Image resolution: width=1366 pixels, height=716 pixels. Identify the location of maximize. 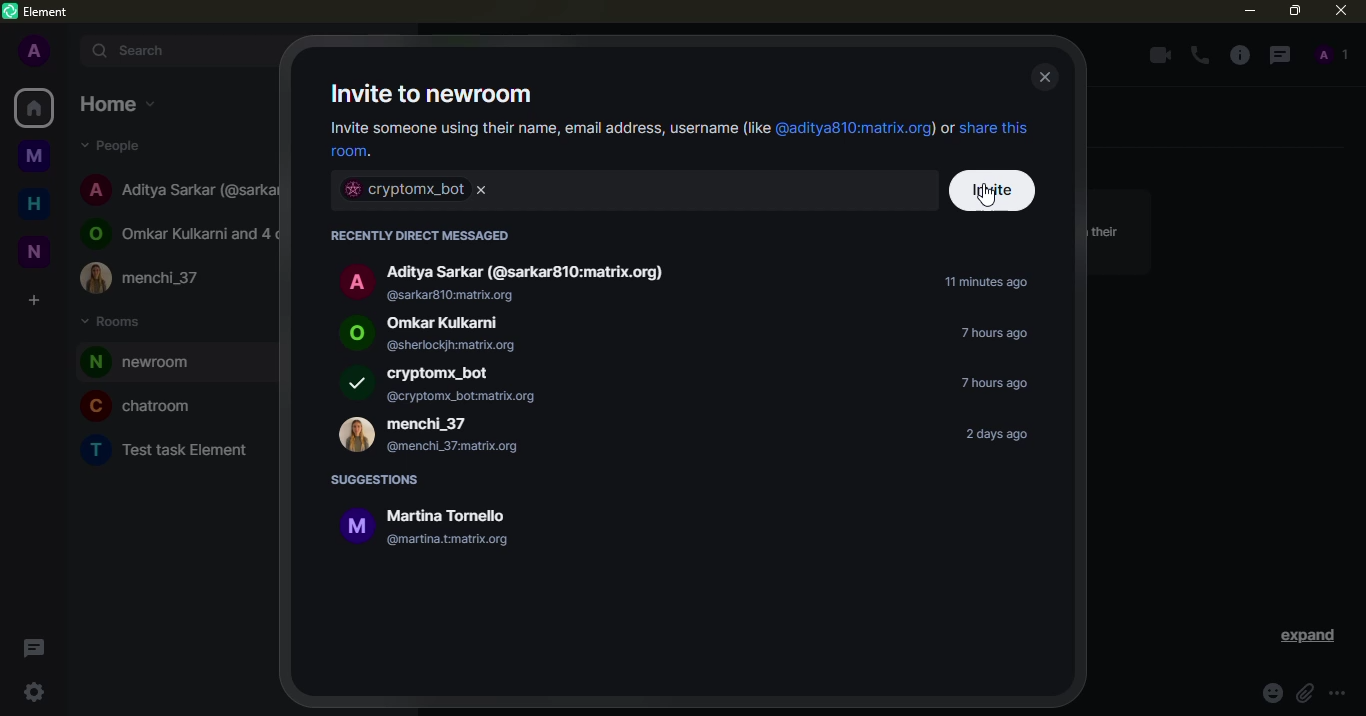
(1291, 13).